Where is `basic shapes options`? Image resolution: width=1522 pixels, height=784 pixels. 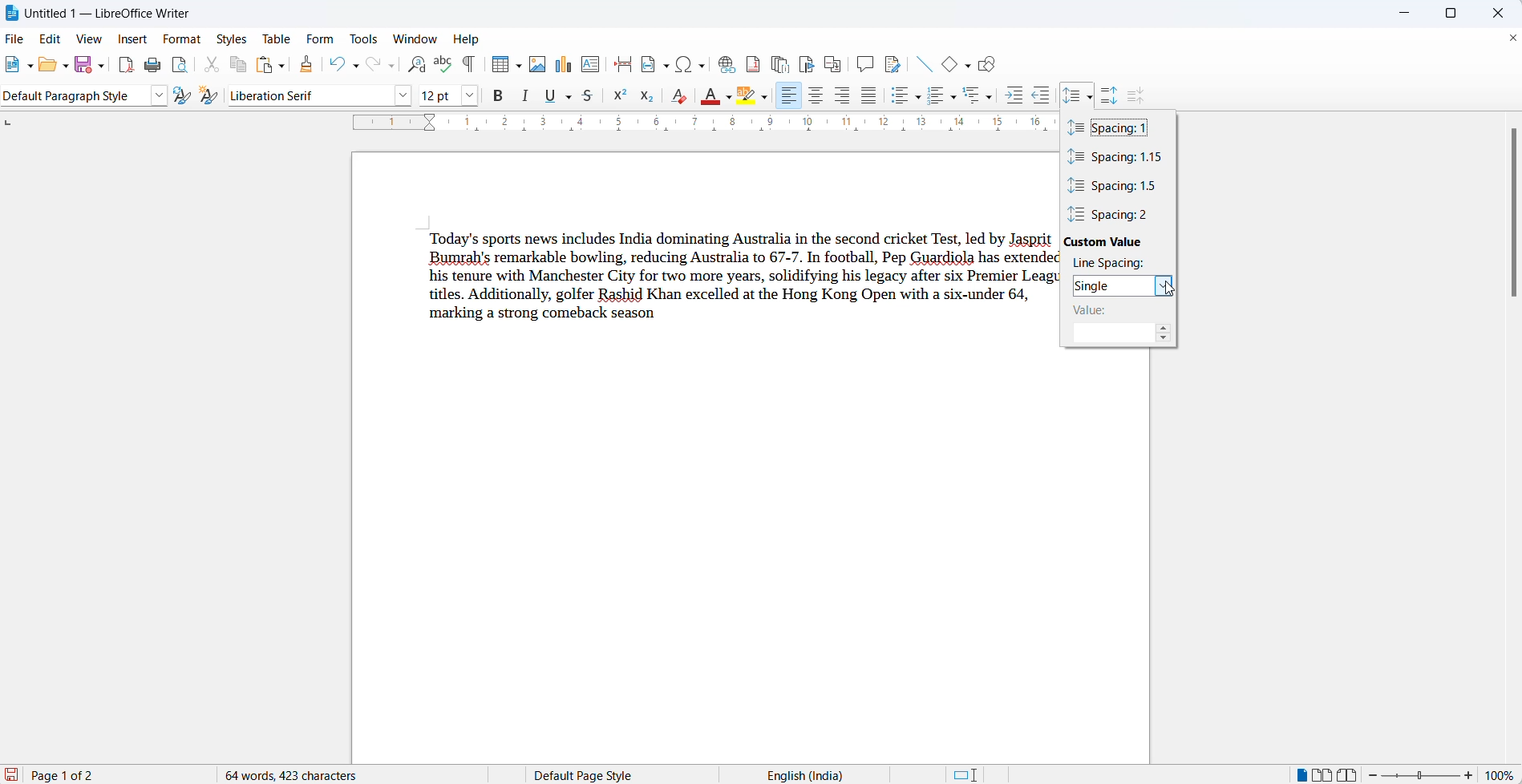
basic shapes options is located at coordinates (965, 66).